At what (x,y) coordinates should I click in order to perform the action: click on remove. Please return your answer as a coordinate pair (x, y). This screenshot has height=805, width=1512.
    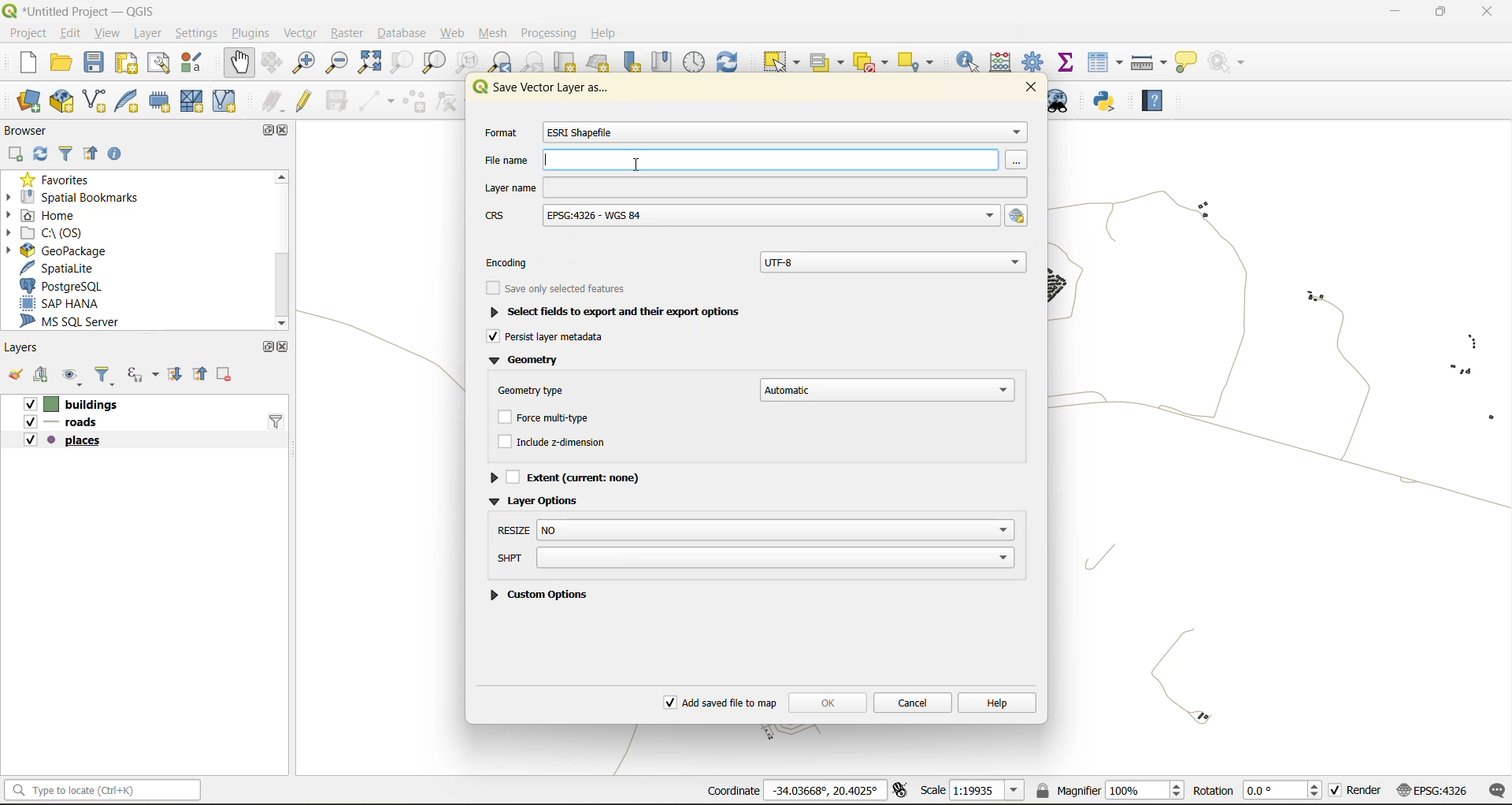
    Looking at the image, I should click on (227, 376).